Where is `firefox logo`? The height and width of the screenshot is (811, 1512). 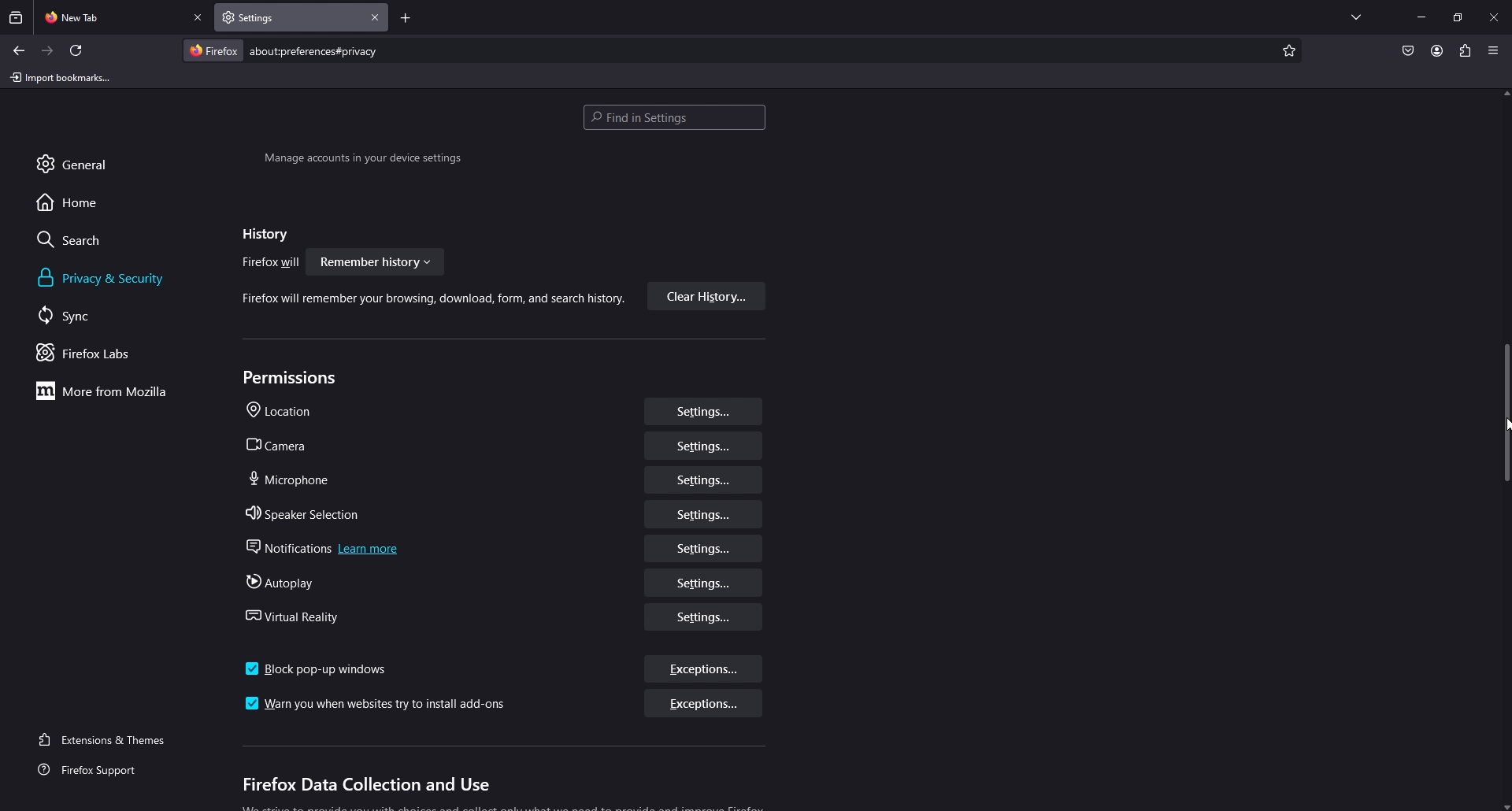 firefox logo is located at coordinates (213, 50).